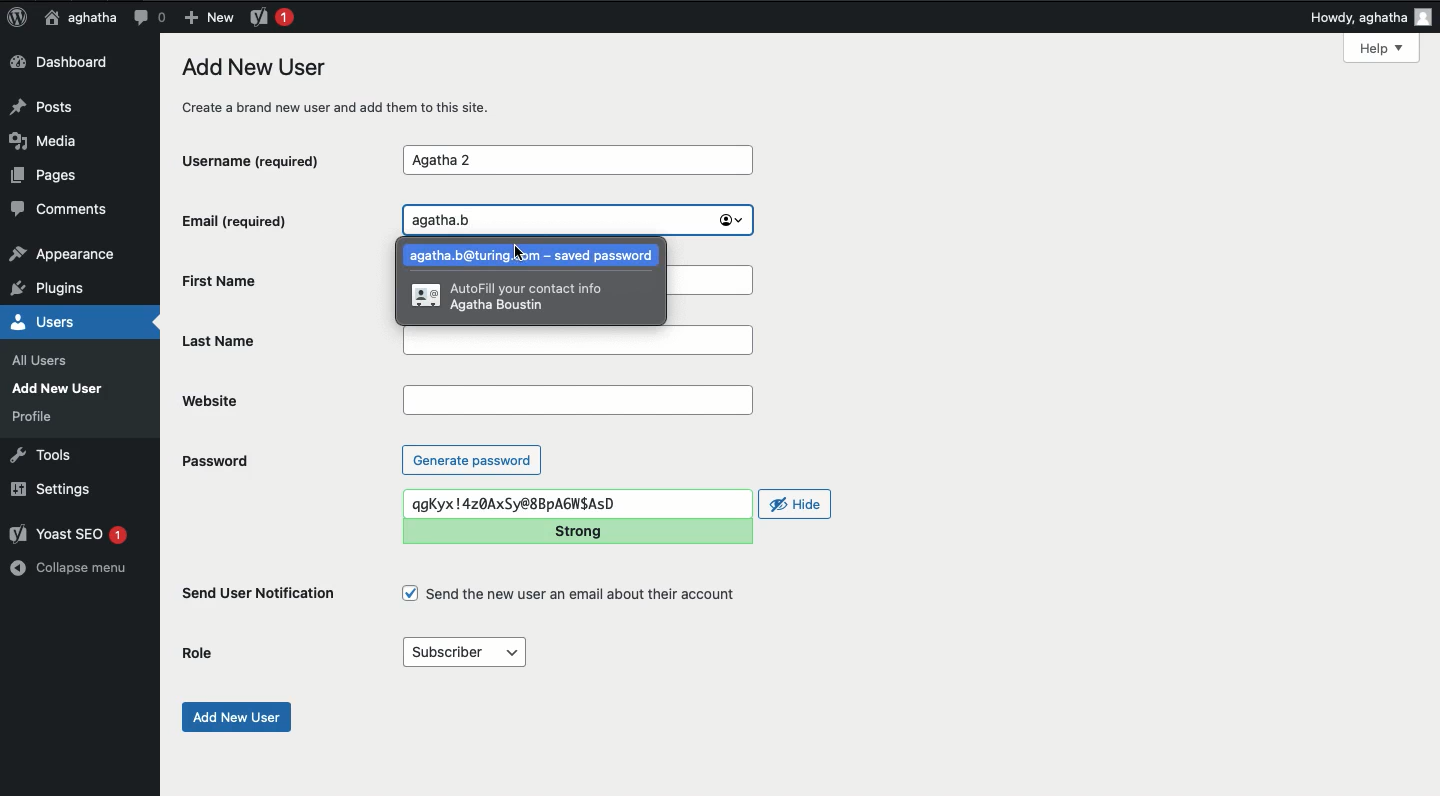 This screenshot has width=1440, height=796. Describe the element at coordinates (286, 339) in the screenshot. I see `Last name` at that location.